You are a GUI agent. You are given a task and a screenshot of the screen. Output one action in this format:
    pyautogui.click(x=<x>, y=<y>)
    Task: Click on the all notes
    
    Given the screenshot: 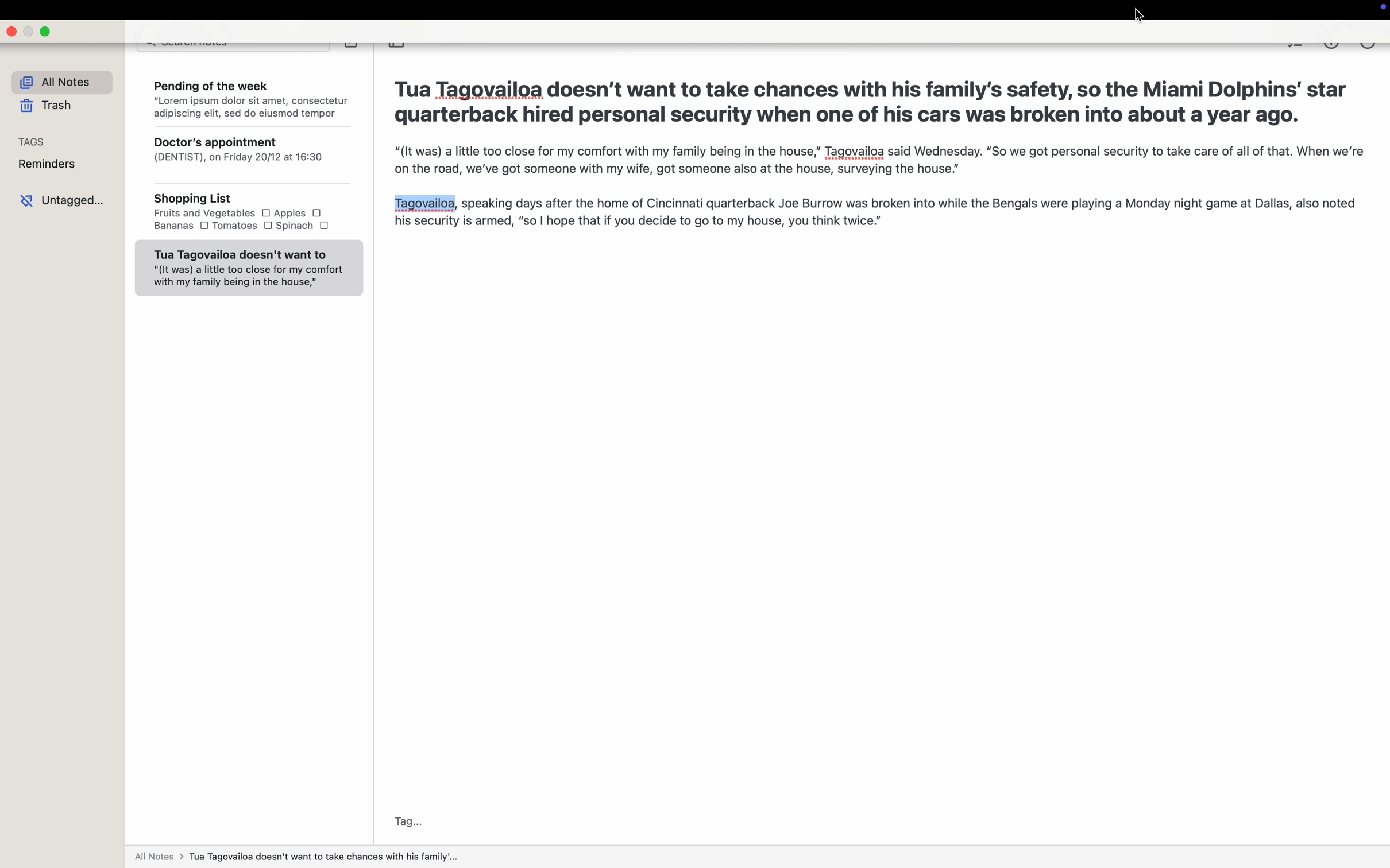 What is the action you would take?
    pyautogui.click(x=56, y=80)
    